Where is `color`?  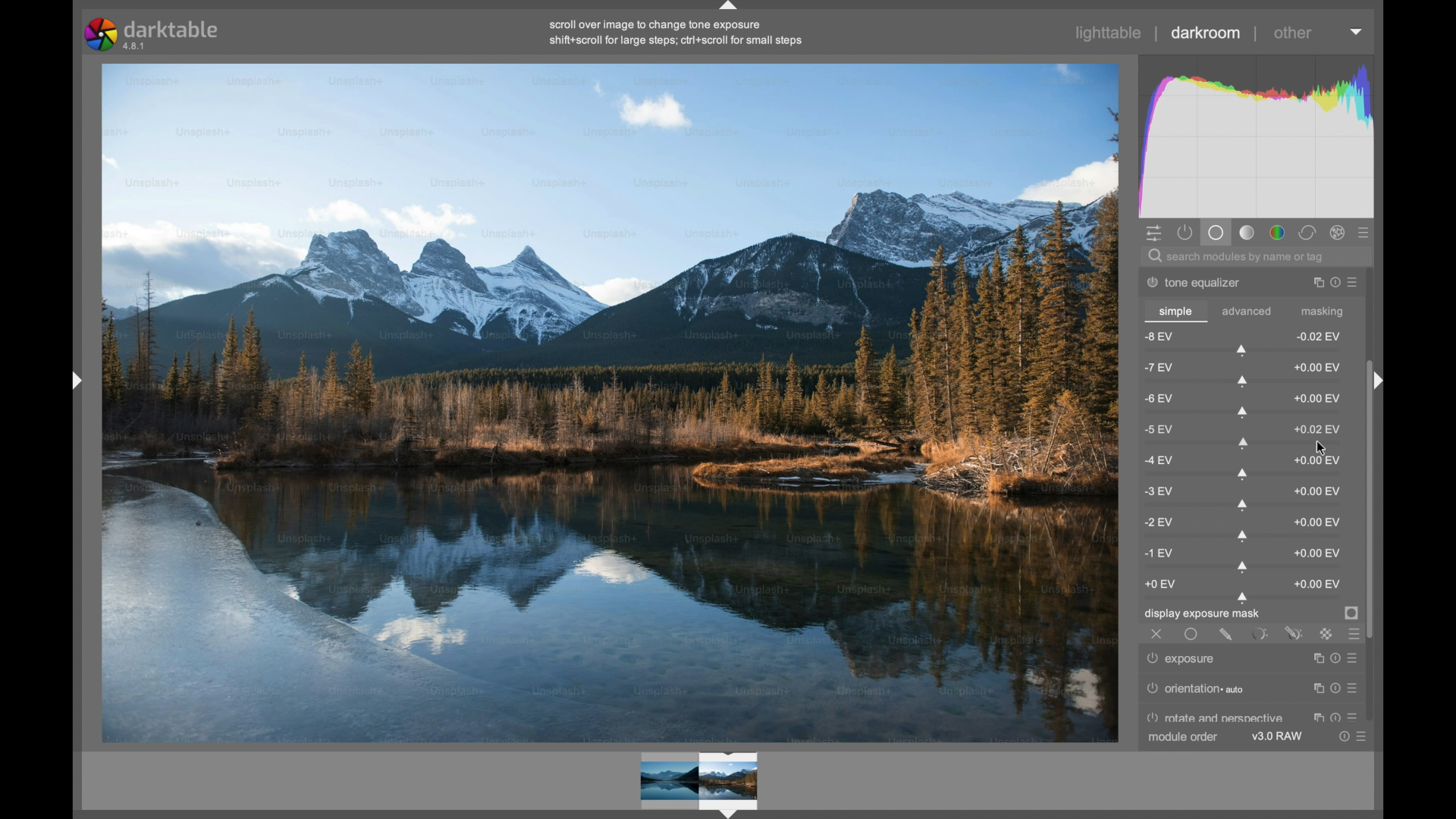
color is located at coordinates (1278, 233).